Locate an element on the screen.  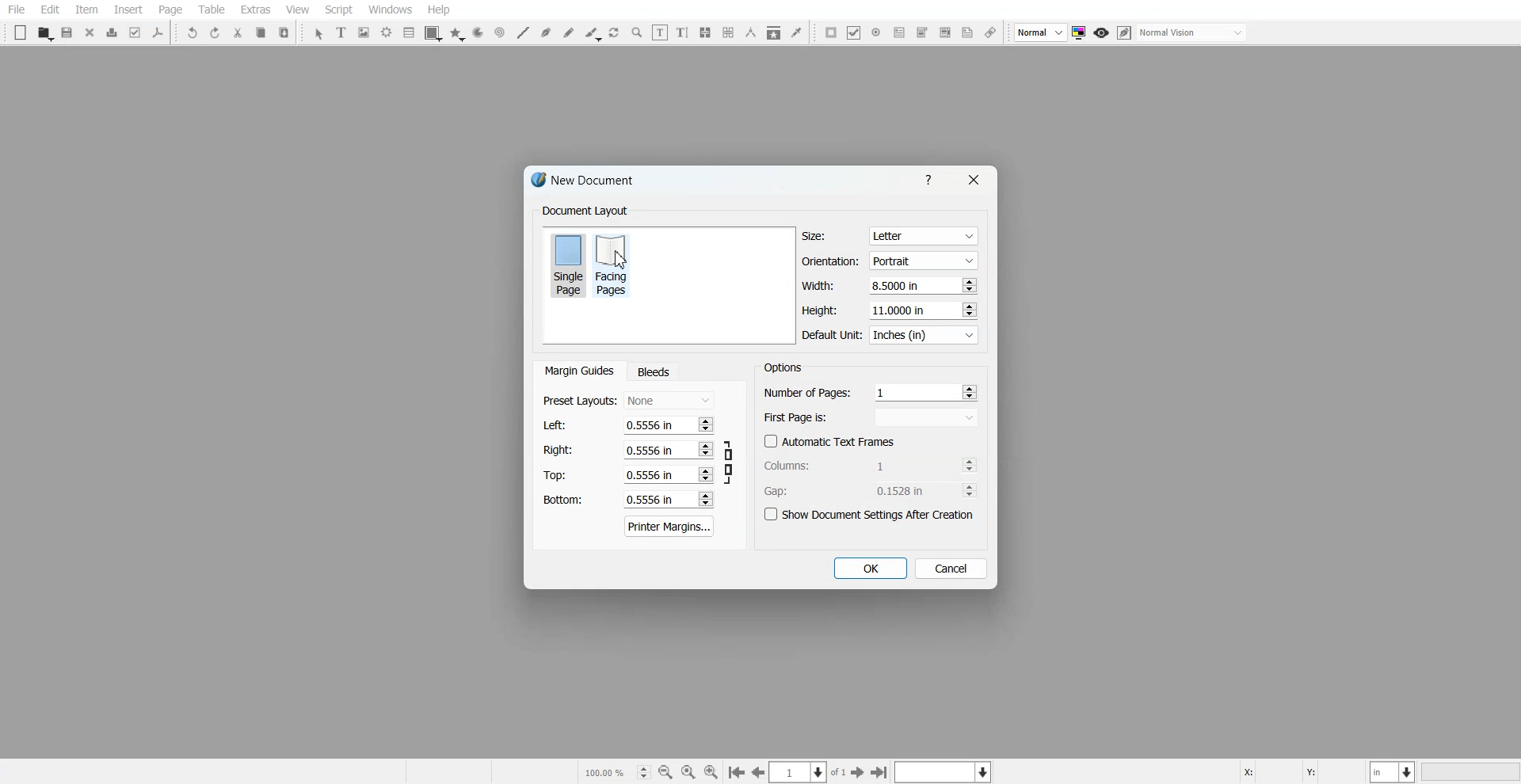
Preflight Verifier is located at coordinates (136, 32).